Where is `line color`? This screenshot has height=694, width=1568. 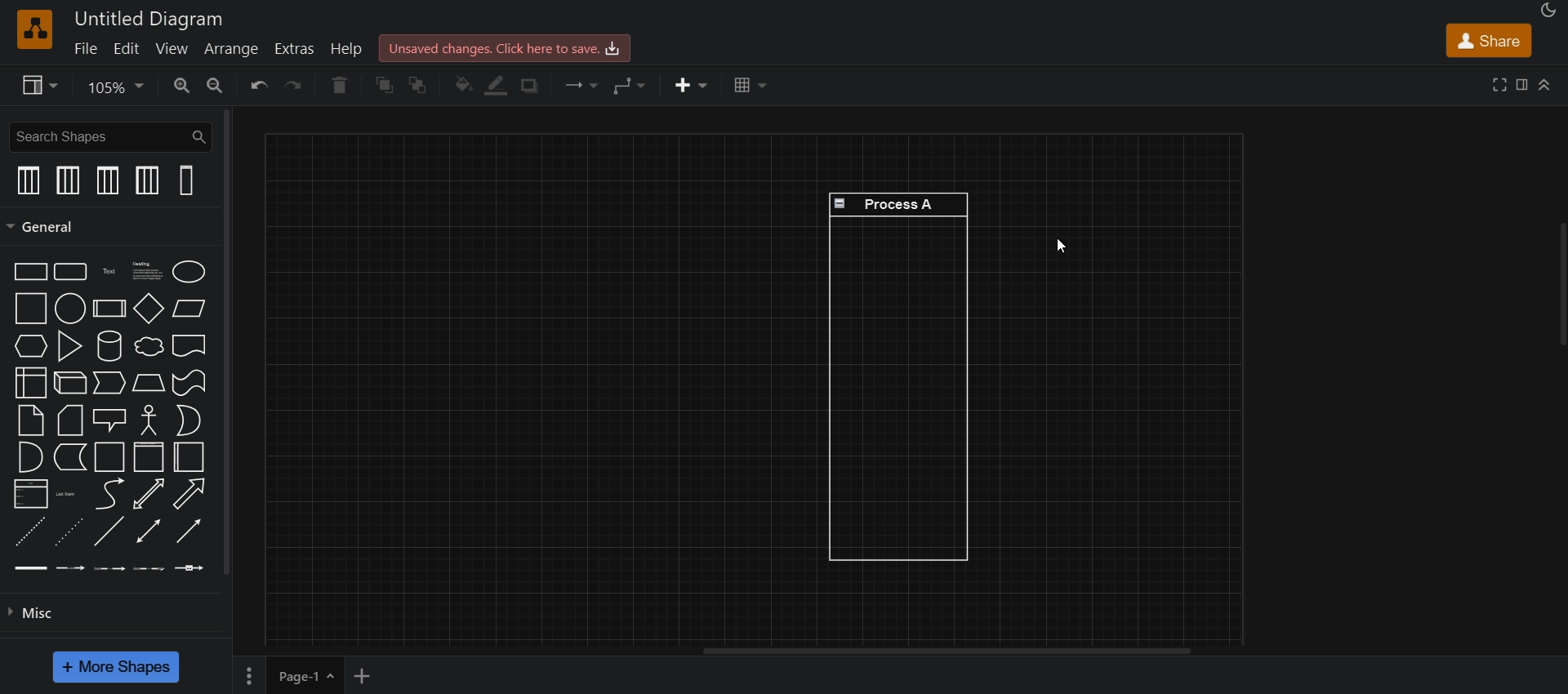
line color is located at coordinates (501, 85).